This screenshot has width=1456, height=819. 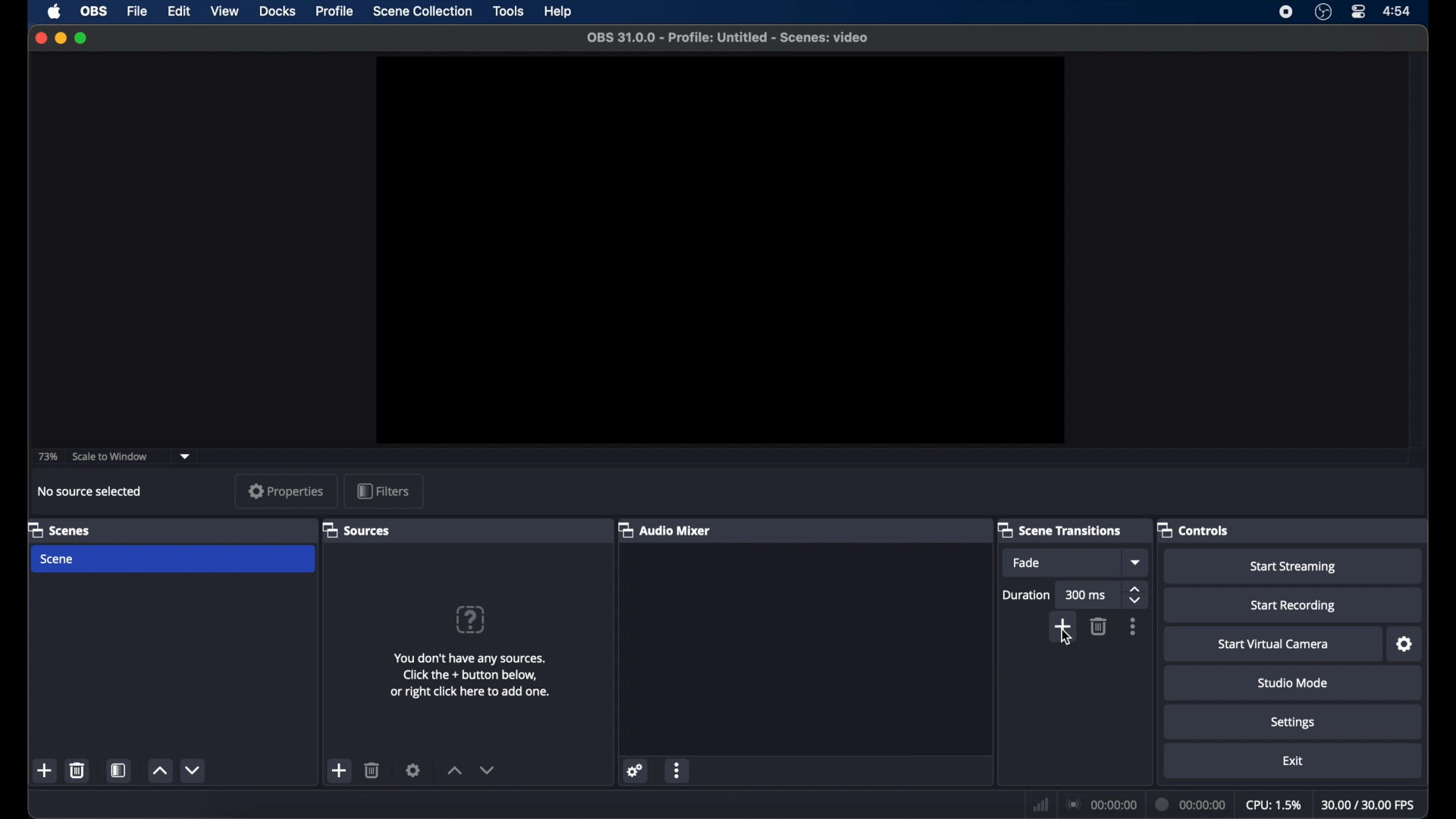 I want to click on settings, so click(x=634, y=770).